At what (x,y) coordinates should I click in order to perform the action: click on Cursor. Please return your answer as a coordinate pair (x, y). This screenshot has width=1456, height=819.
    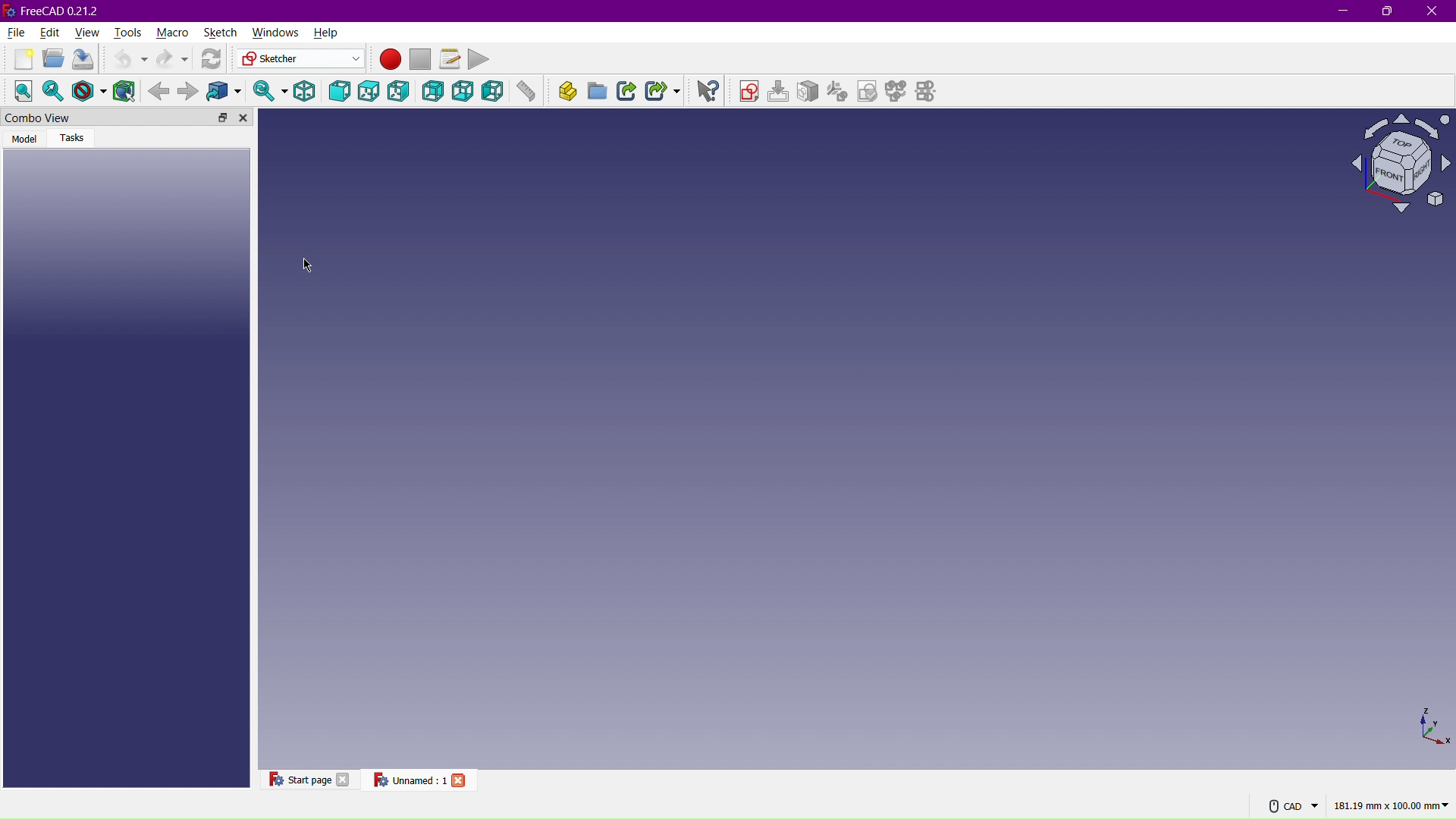
    Looking at the image, I should click on (306, 266).